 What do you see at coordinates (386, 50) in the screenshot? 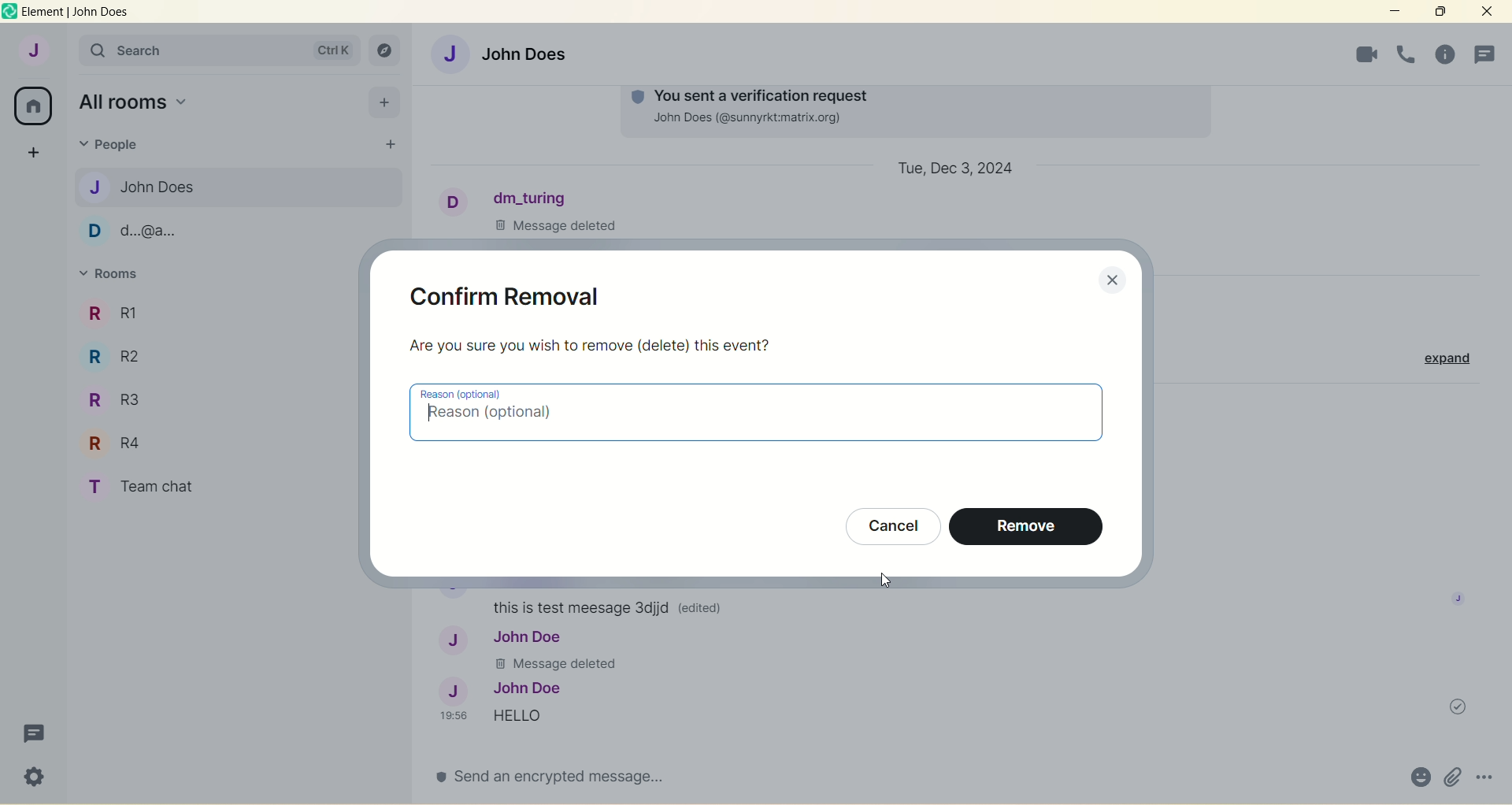
I see `explore rooms` at bounding box center [386, 50].